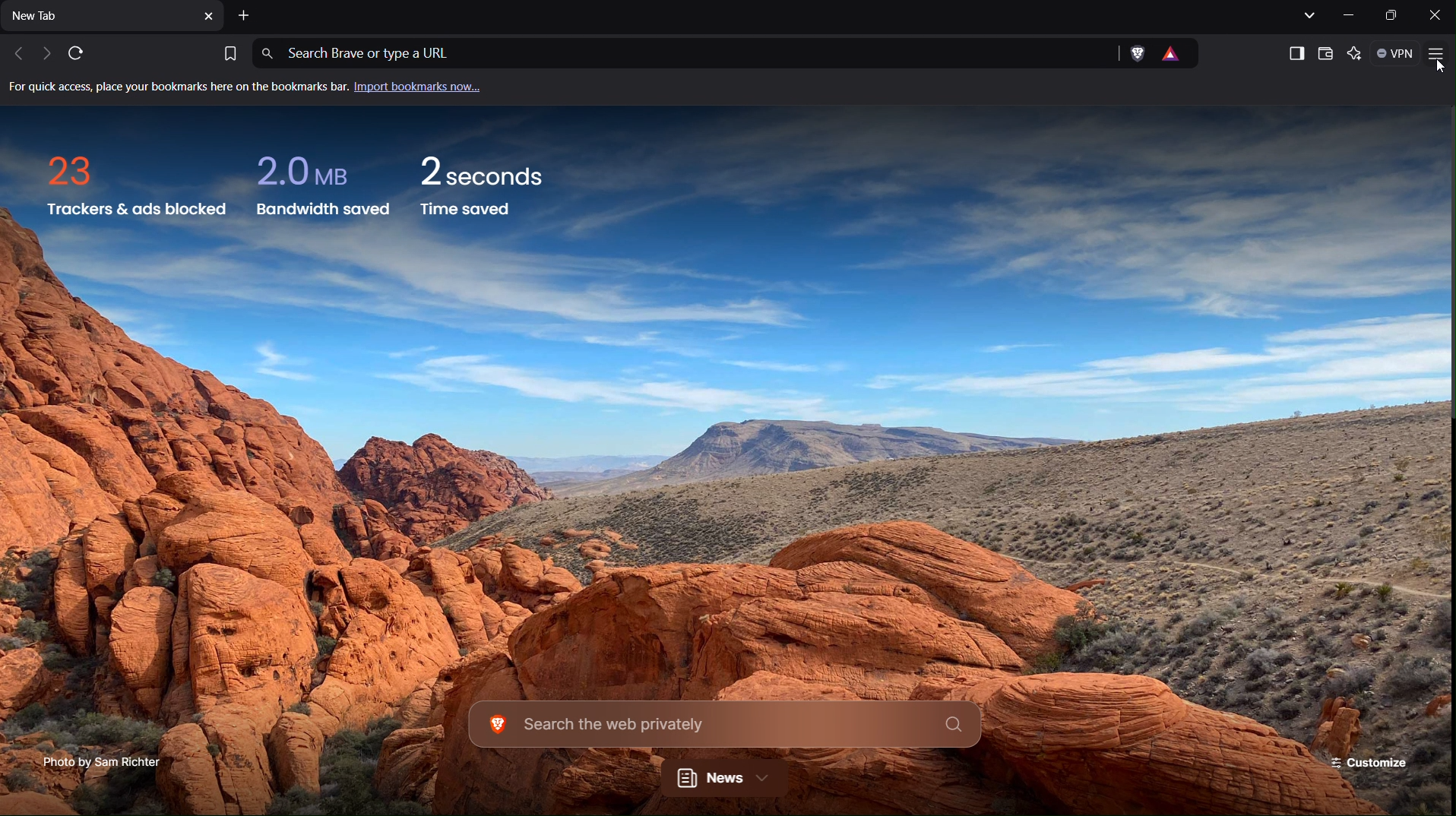 Image resolution: width=1456 pixels, height=816 pixels. I want to click on Bandwidth saved, so click(322, 183).